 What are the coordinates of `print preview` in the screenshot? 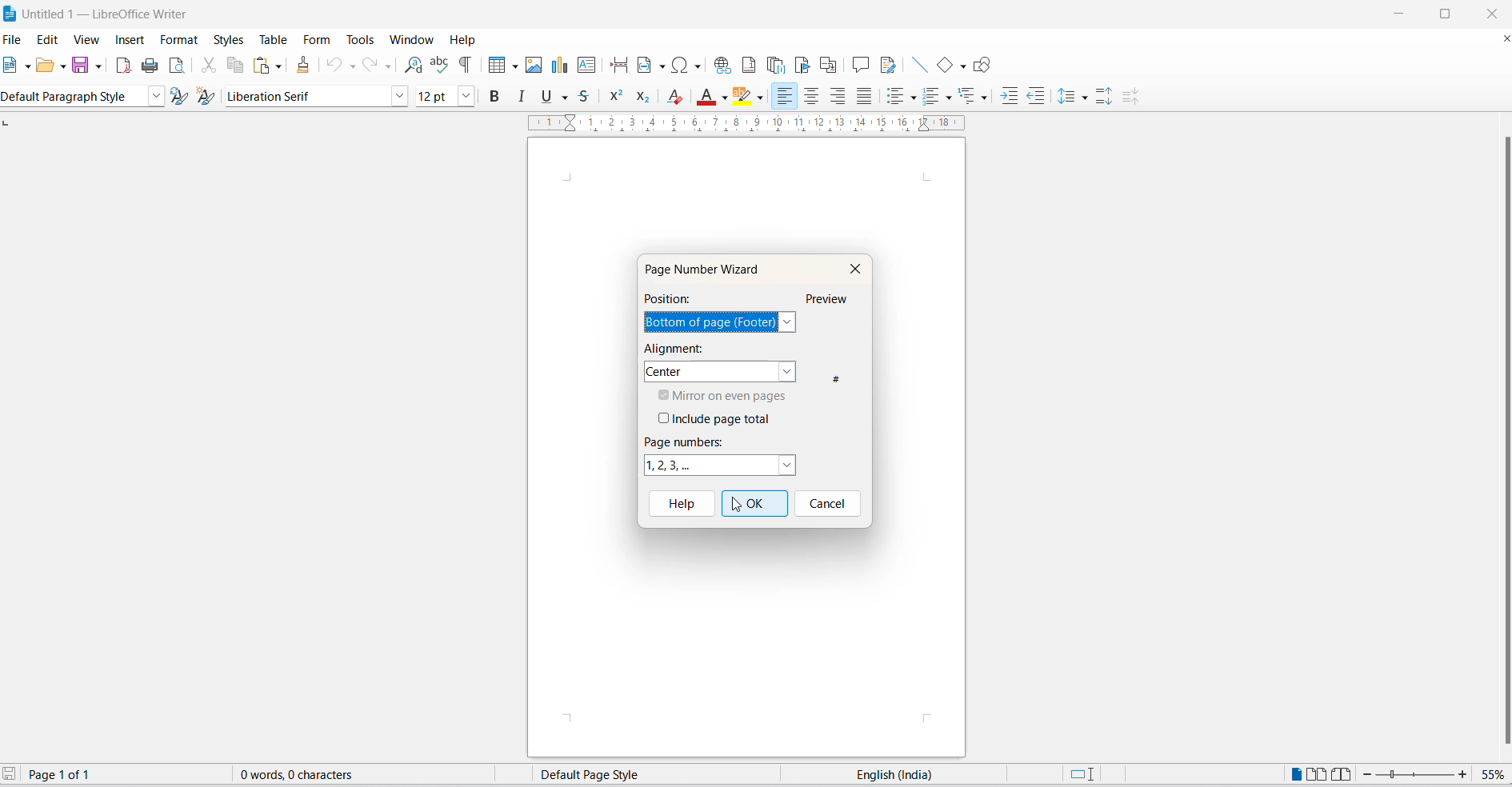 It's located at (178, 66).